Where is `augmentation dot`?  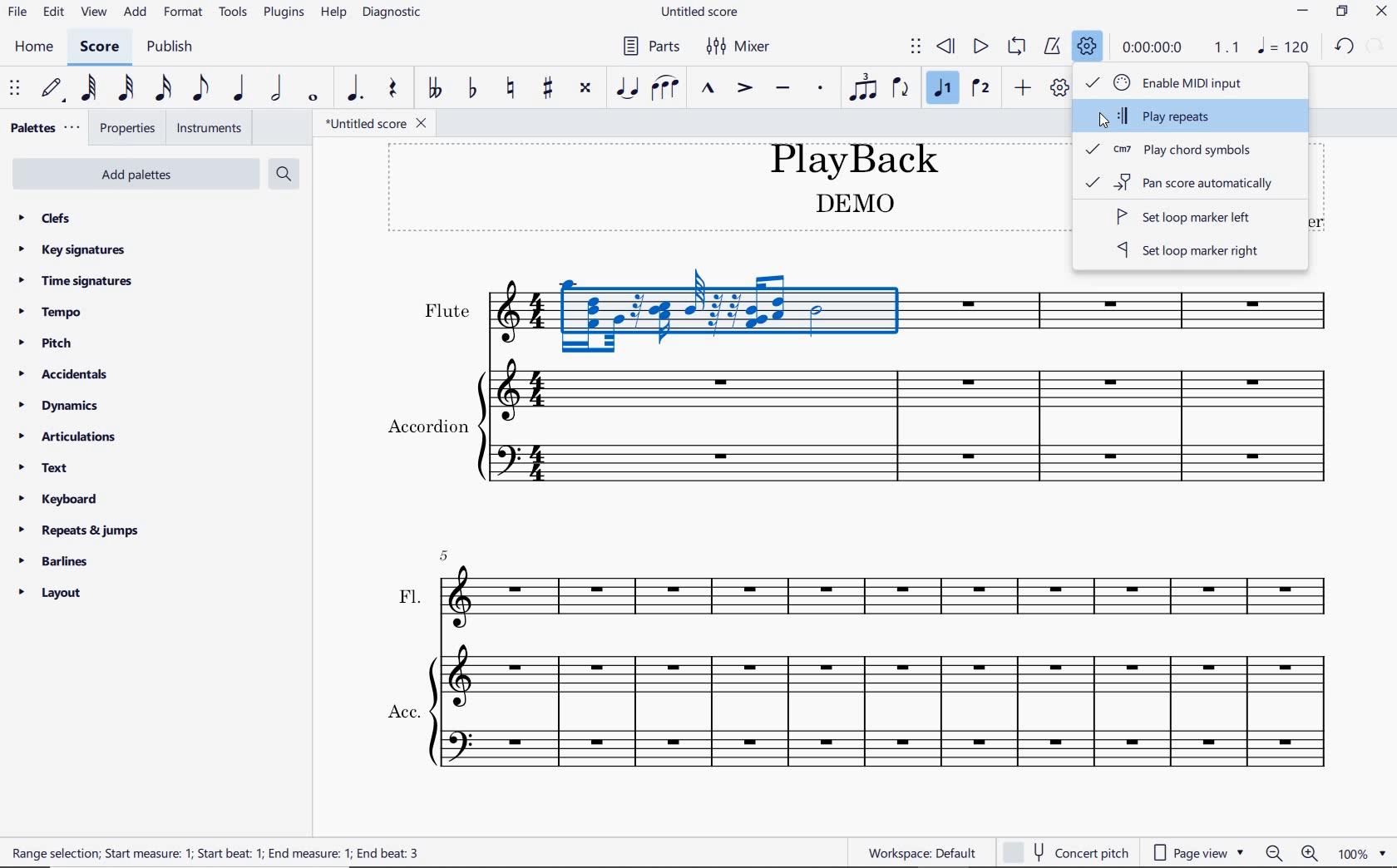 augmentation dot is located at coordinates (357, 88).